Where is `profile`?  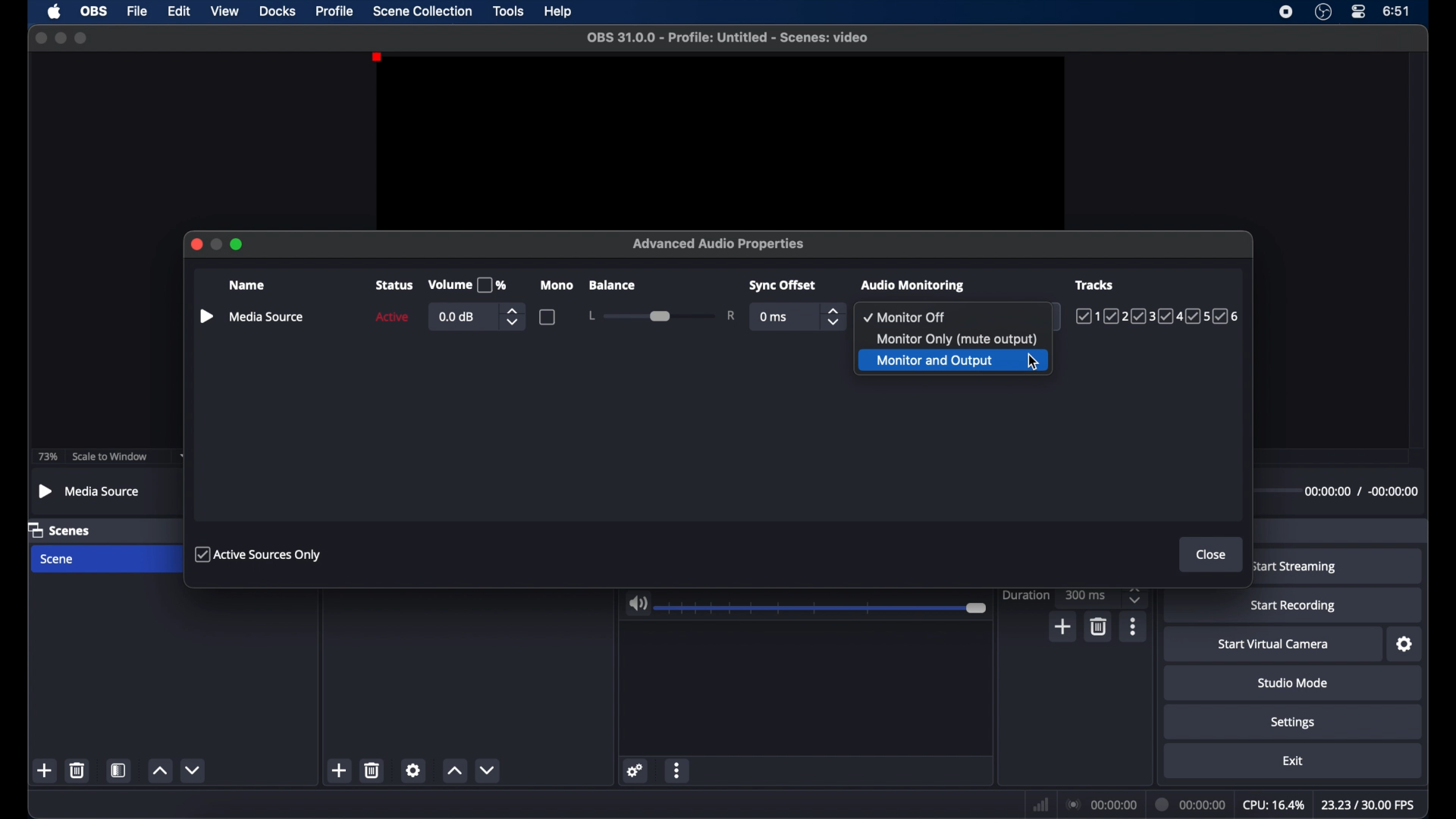 profile is located at coordinates (335, 11).